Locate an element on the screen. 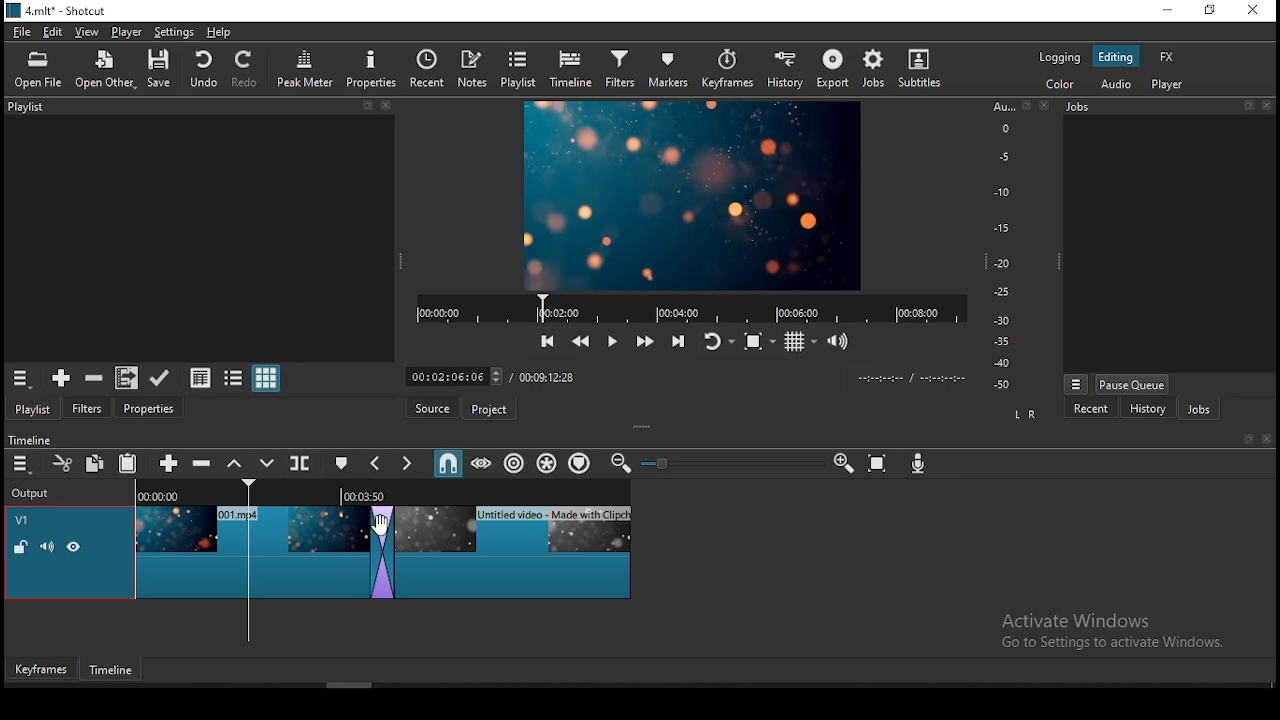  view as list is located at coordinates (235, 377).